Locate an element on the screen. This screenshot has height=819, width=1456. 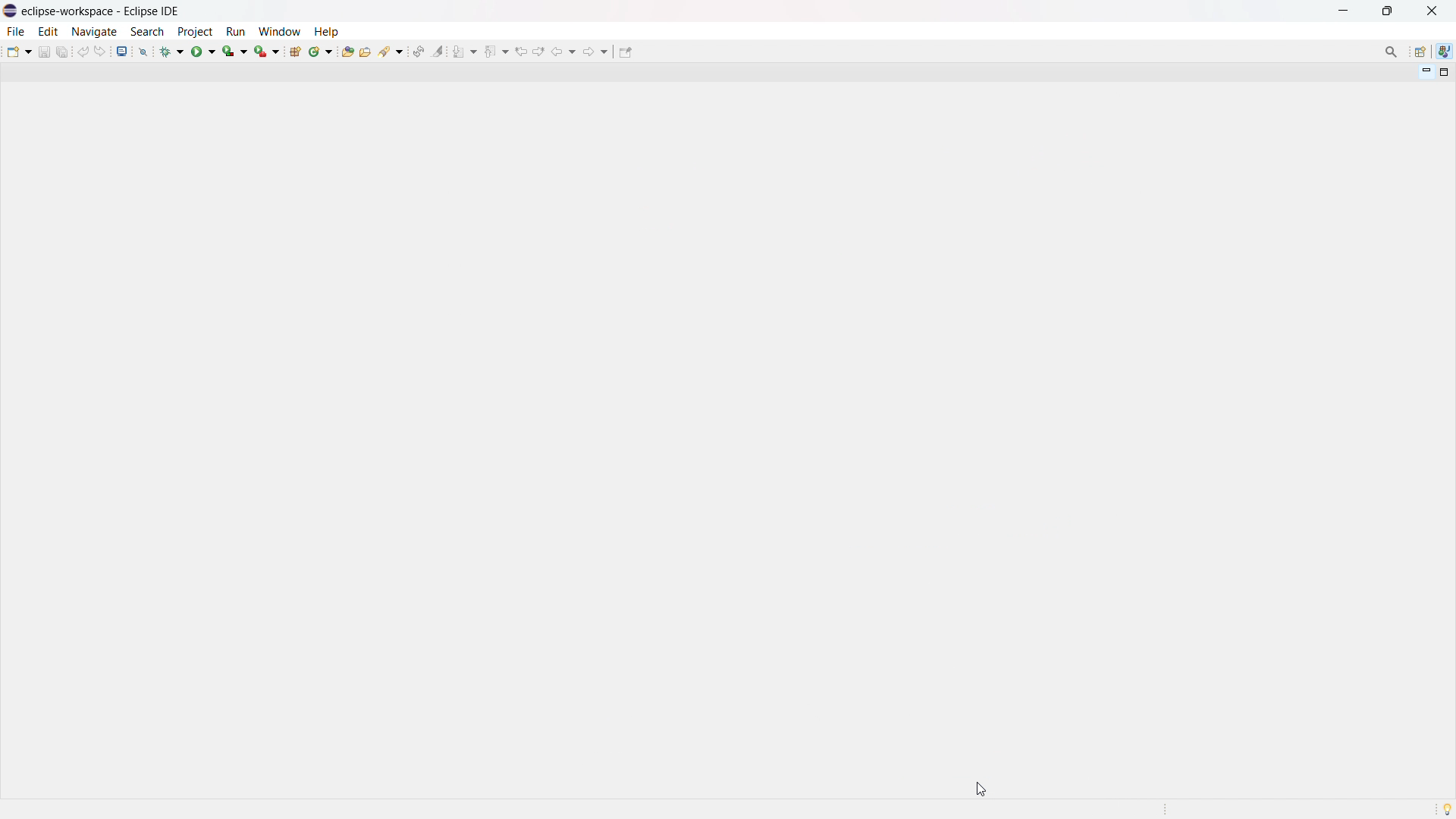
run is located at coordinates (203, 51).